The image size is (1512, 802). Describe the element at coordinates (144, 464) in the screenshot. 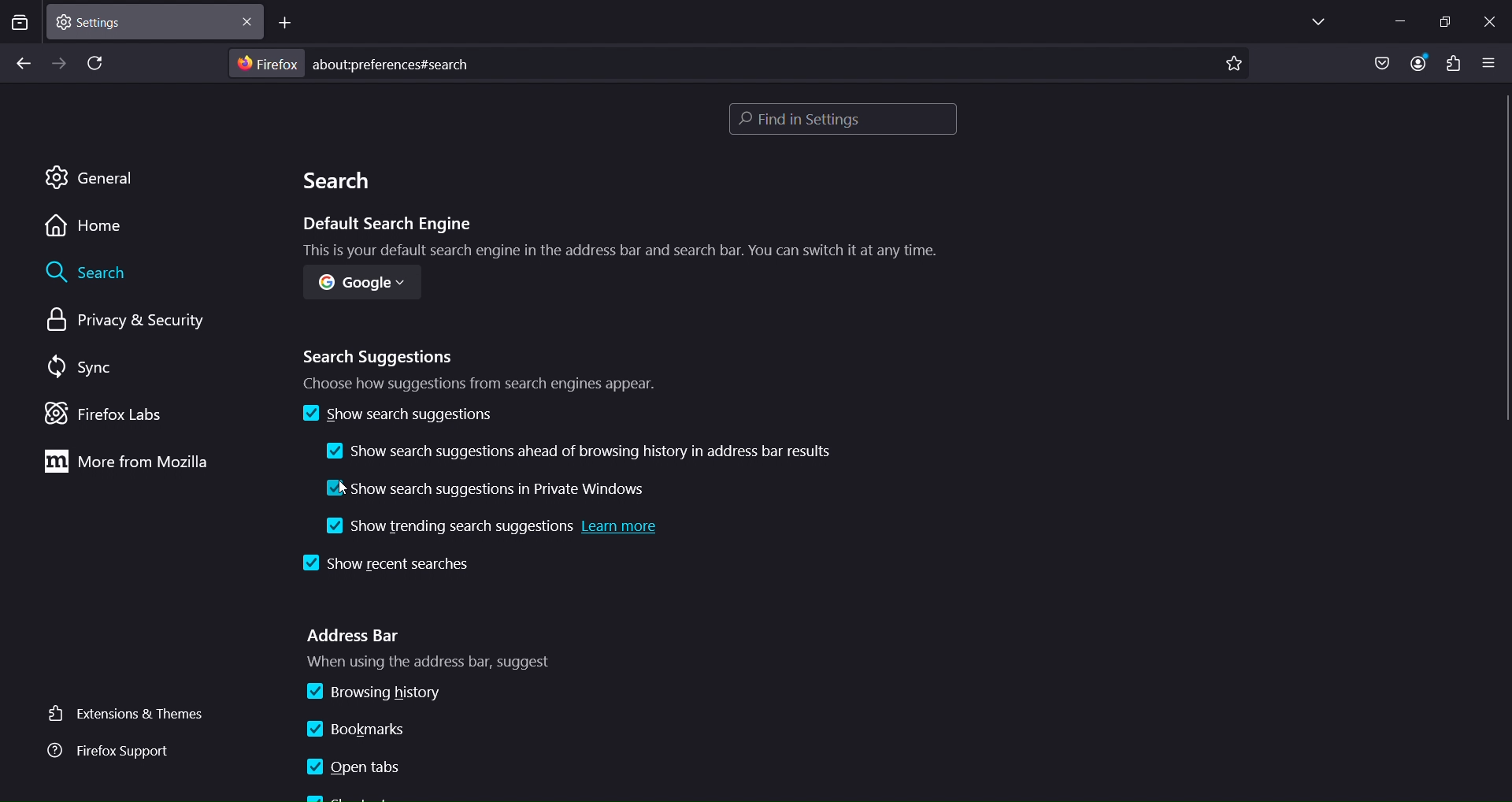

I see `more from mozilla` at that location.